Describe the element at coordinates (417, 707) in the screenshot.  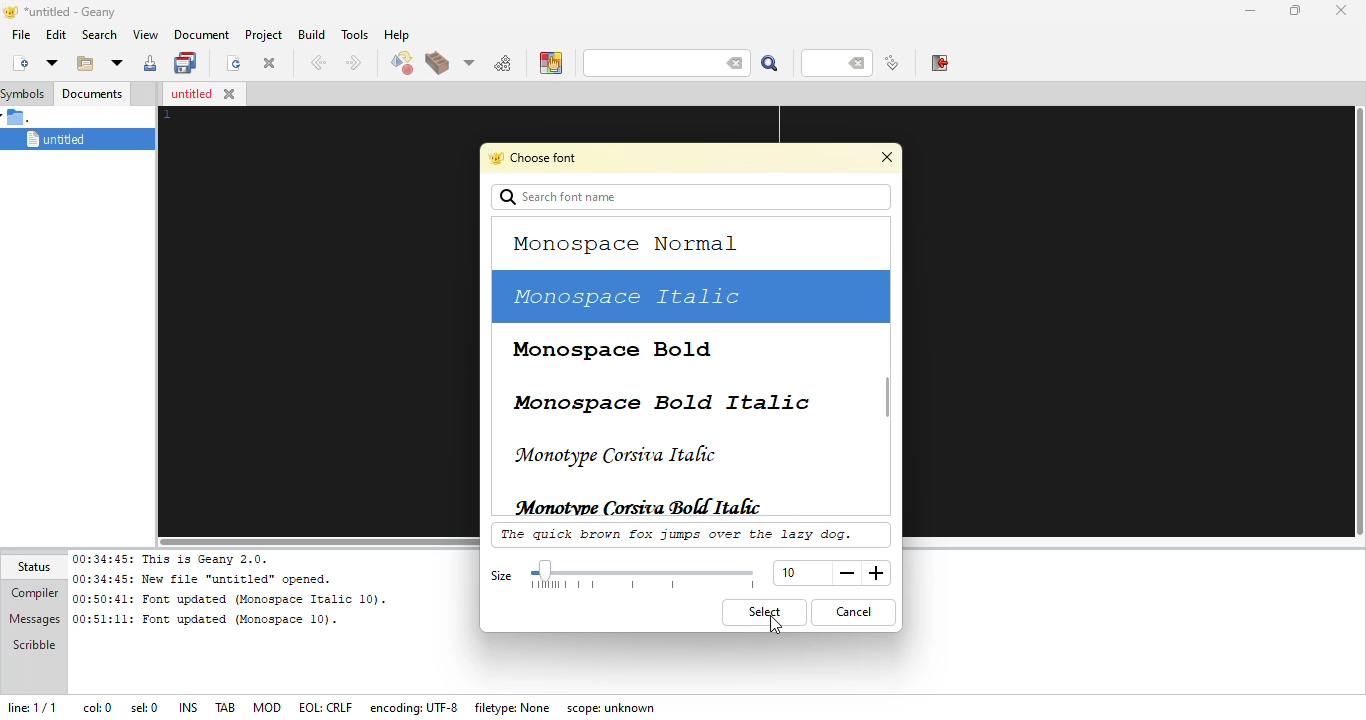
I see `encoding: UTF- 8` at that location.